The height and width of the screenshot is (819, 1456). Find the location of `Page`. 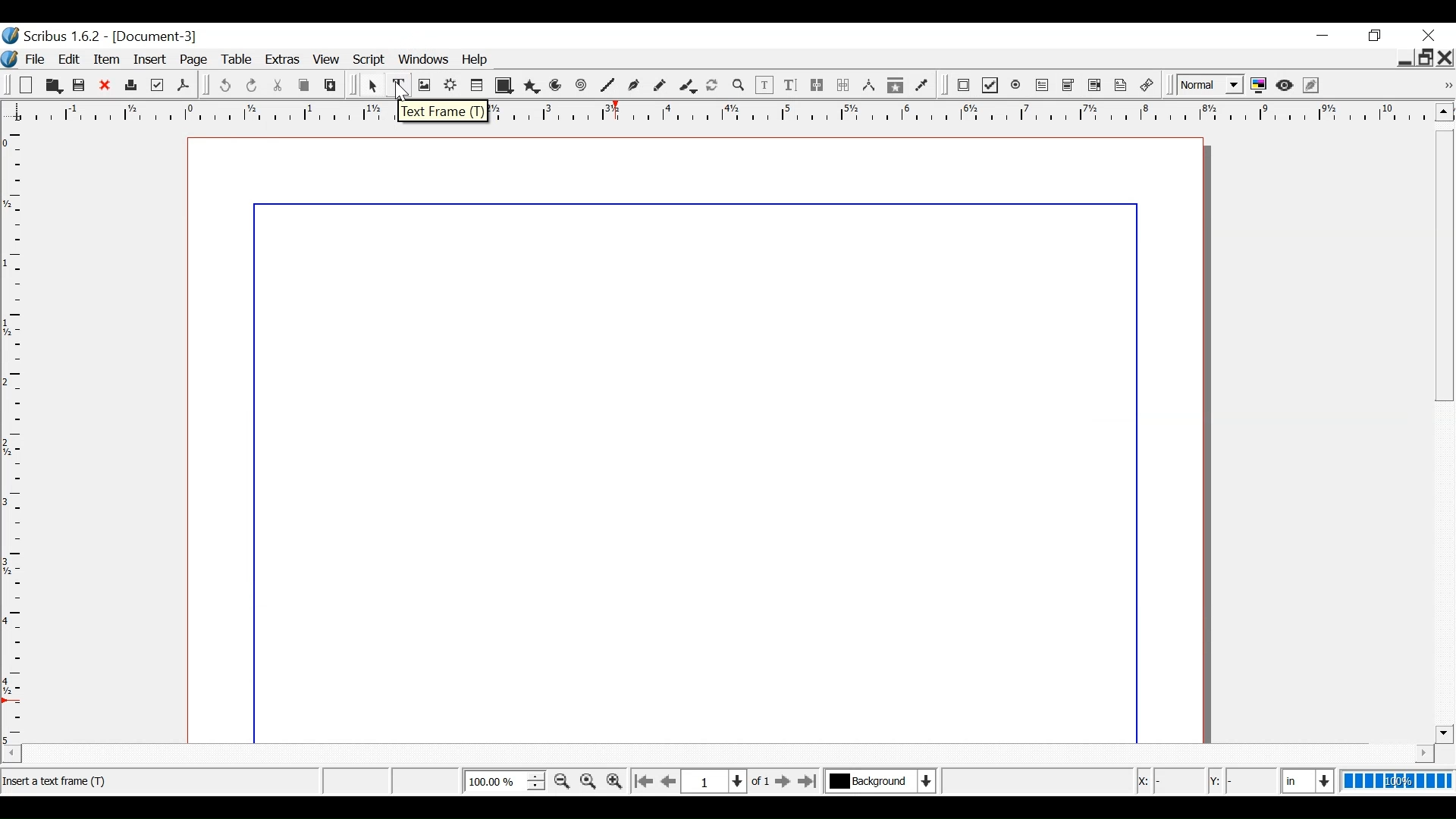

Page is located at coordinates (194, 60).